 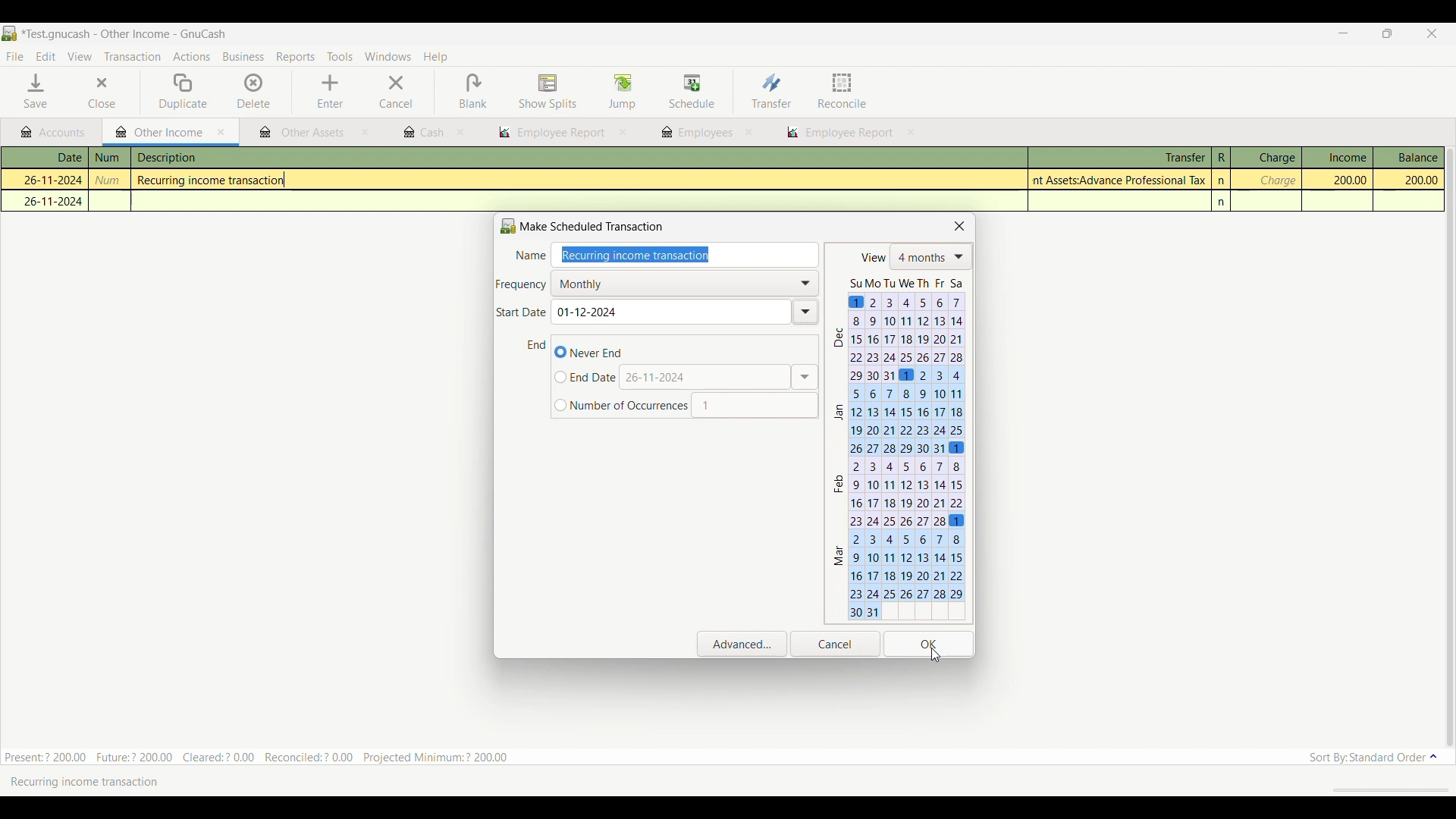 What do you see at coordinates (871, 258) in the screenshot?
I see `view` at bounding box center [871, 258].